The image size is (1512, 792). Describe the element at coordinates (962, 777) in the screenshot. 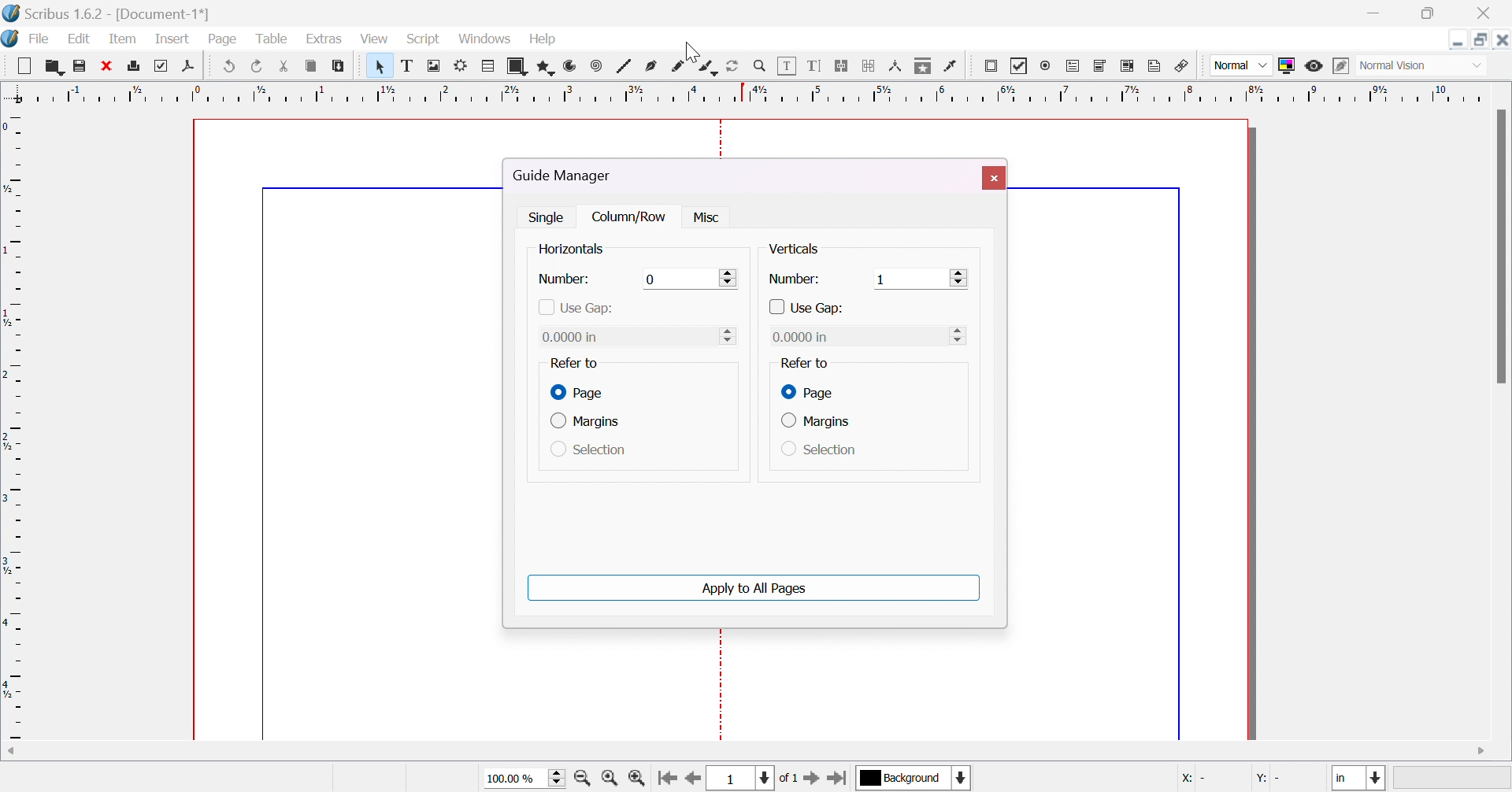

I see `select current layer` at that location.